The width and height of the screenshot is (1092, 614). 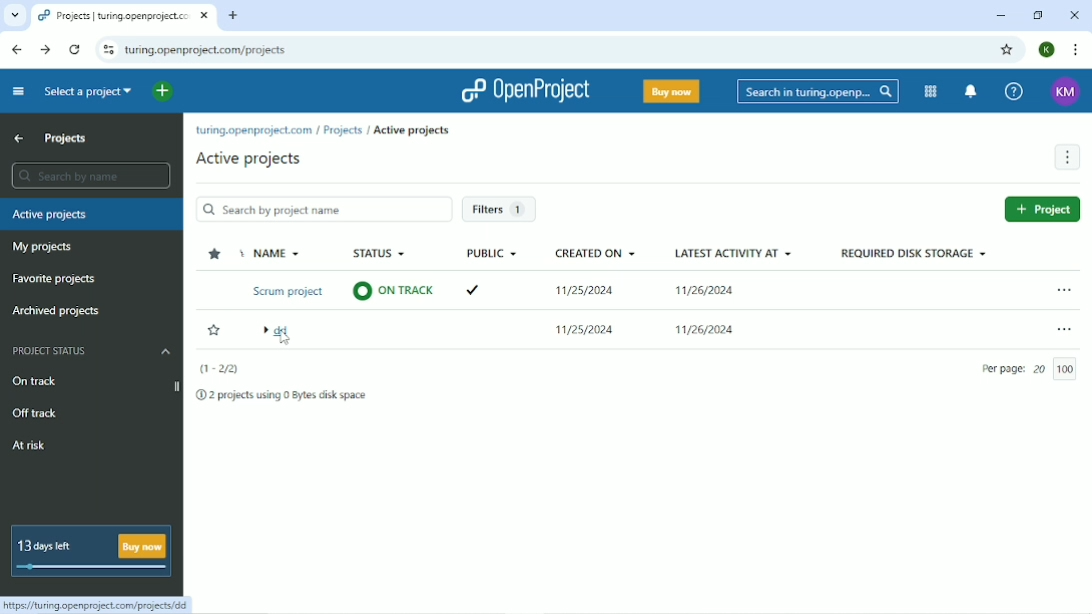 What do you see at coordinates (285, 290) in the screenshot?
I see `Scrum project` at bounding box center [285, 290].